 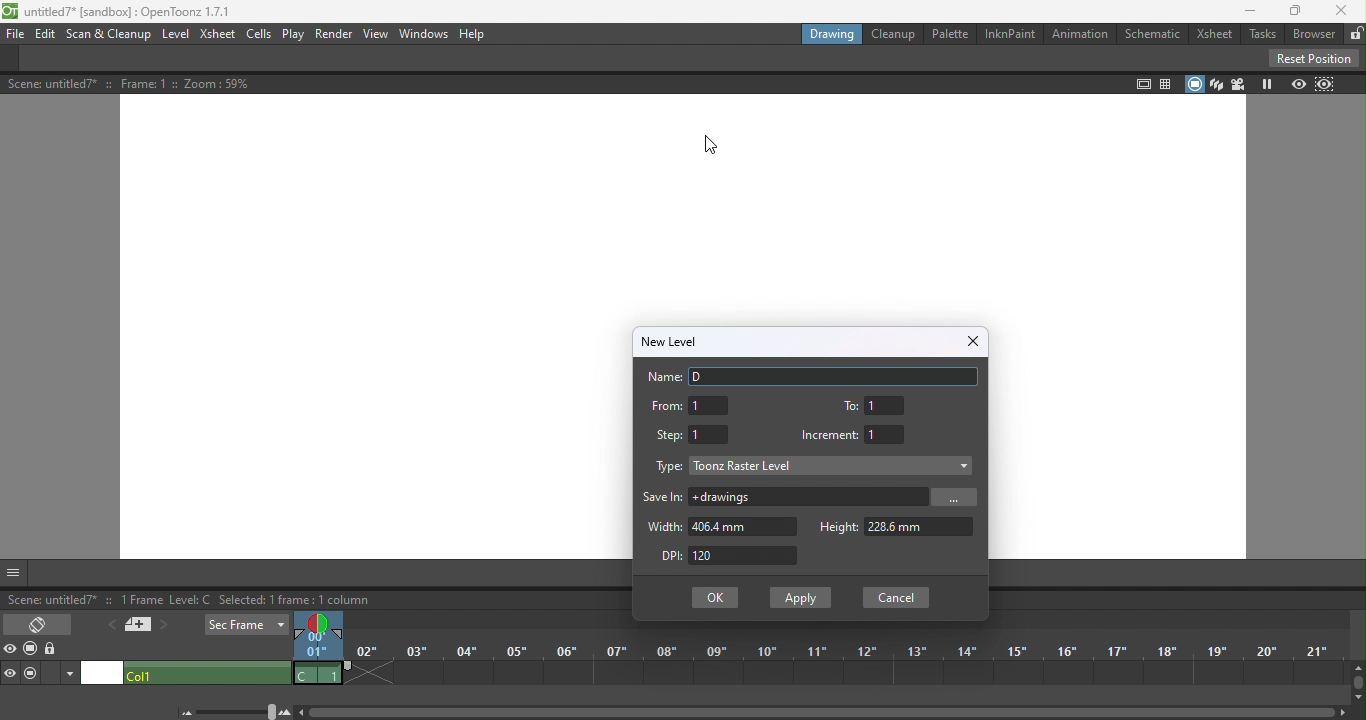 I want to click on Drawing, so click(x=835, y=34).